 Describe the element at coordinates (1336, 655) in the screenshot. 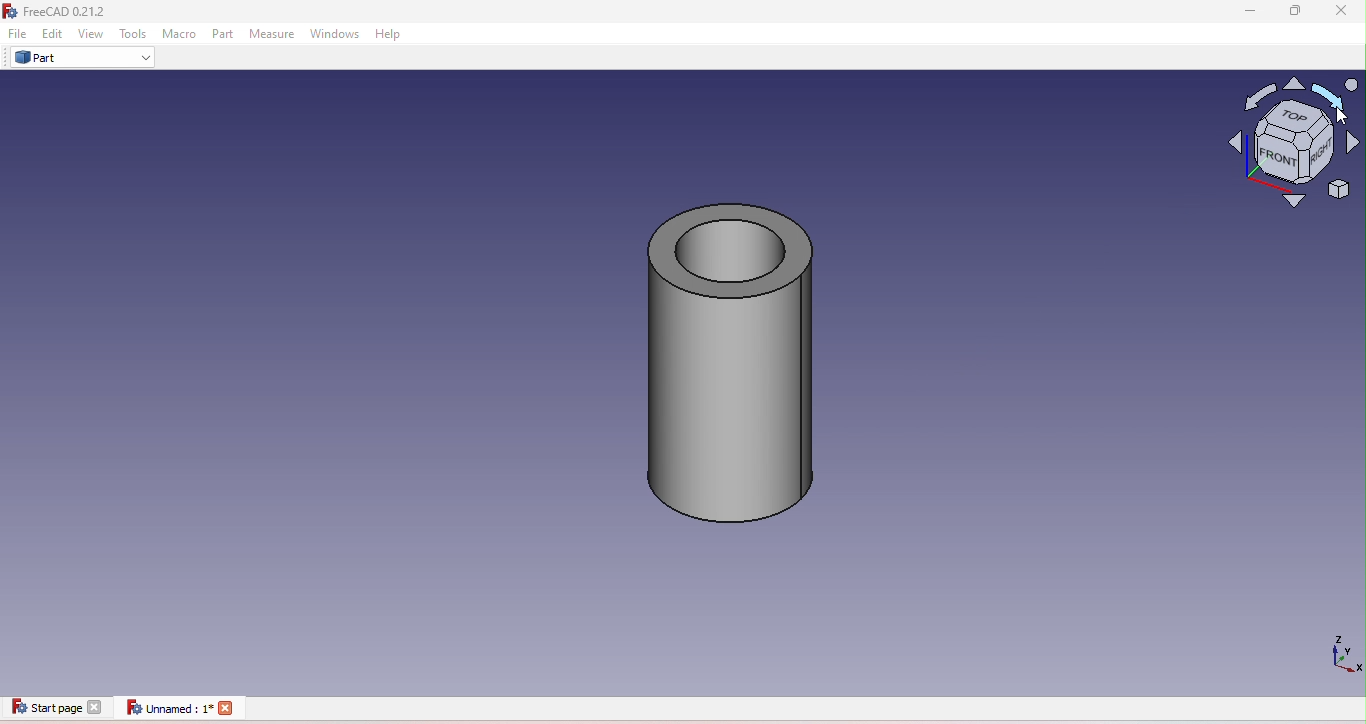

I see `Dimensions` at that location.